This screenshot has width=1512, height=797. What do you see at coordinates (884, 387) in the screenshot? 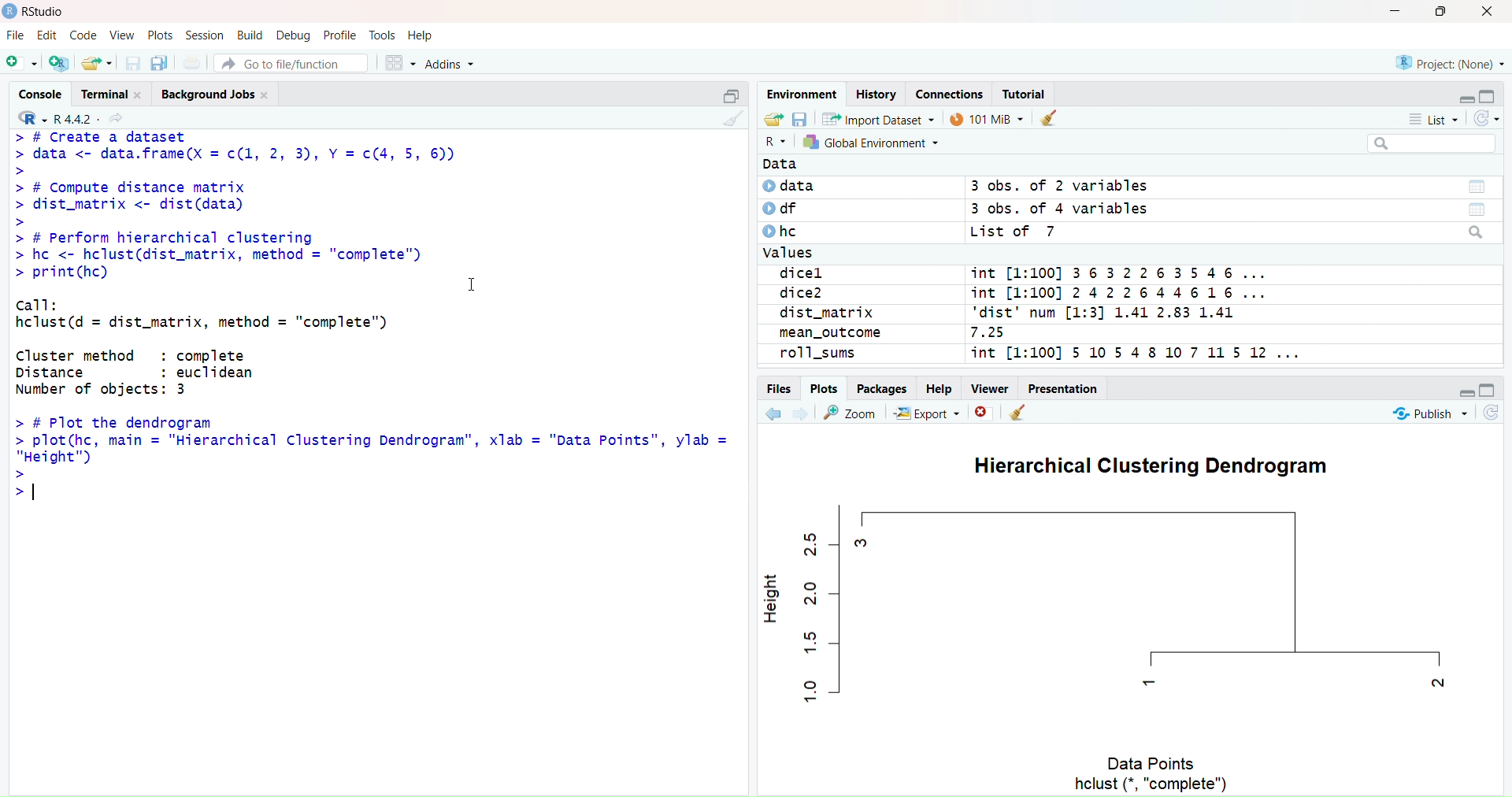
I see `Packages` at bounding box center [884, 387].